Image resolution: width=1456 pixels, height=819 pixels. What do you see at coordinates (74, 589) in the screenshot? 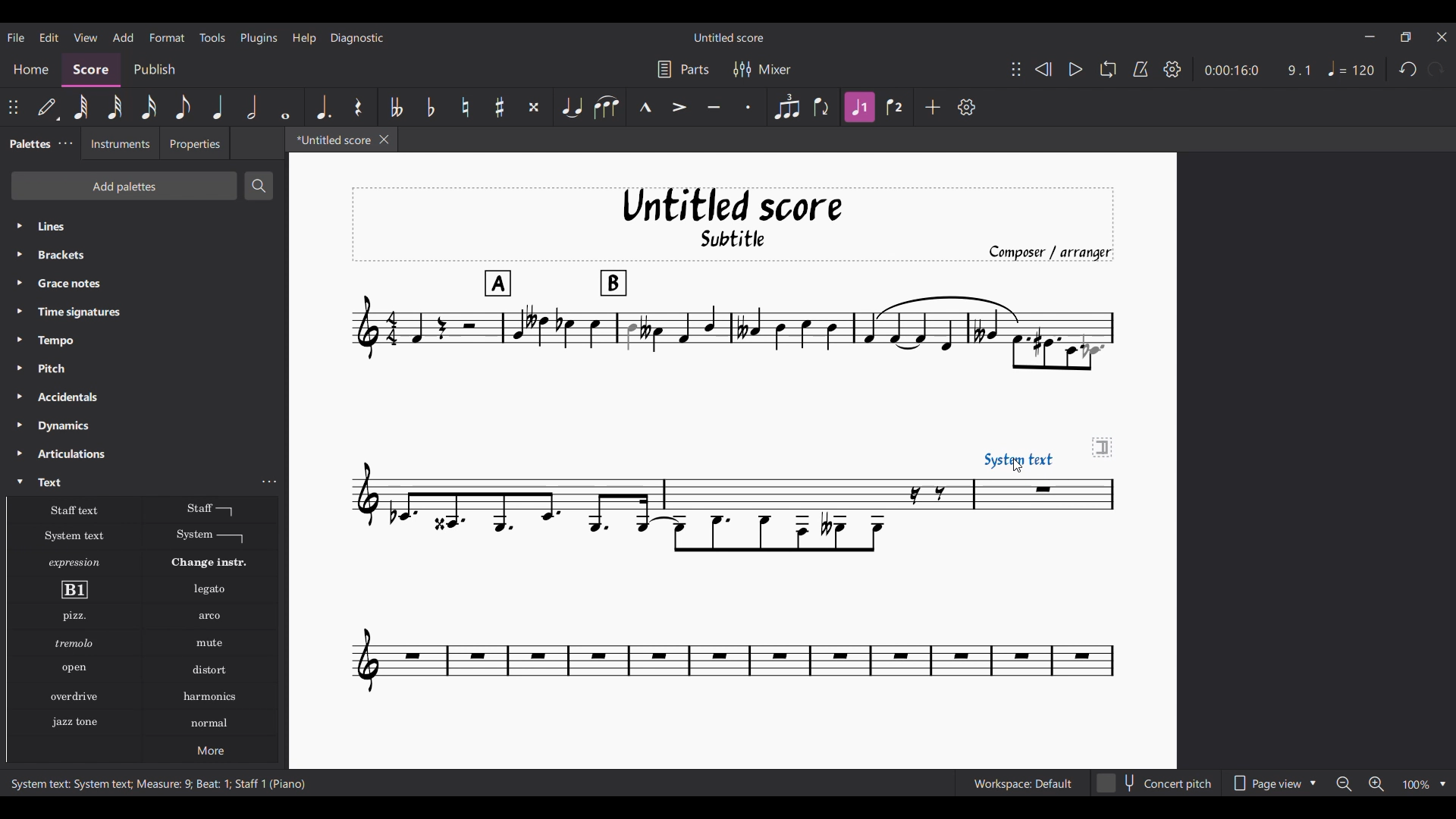
I see `Rehearsal mark` at bounding box center [74, 589].